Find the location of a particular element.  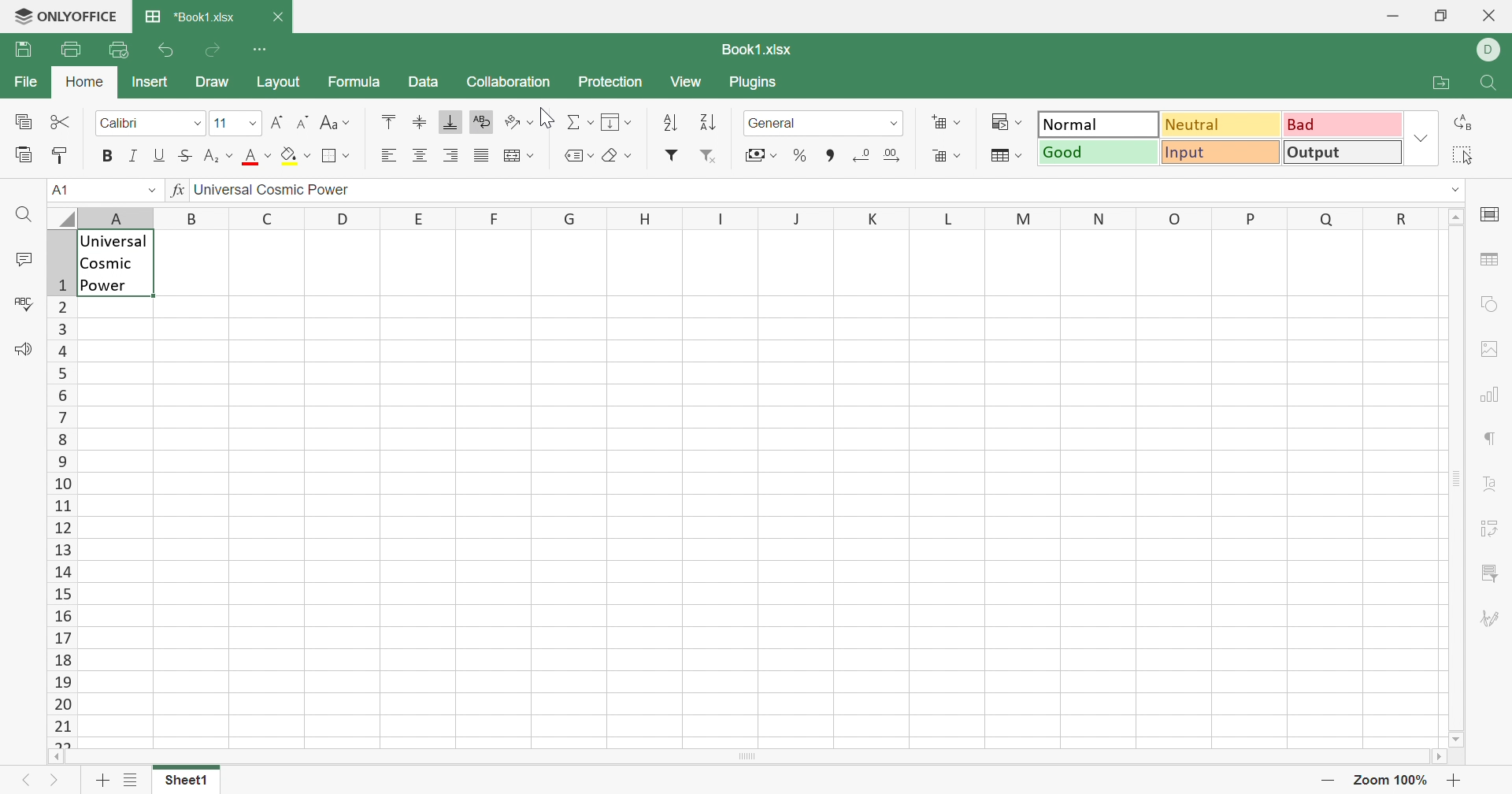

Quick Print is located at coordinates (119, 52).